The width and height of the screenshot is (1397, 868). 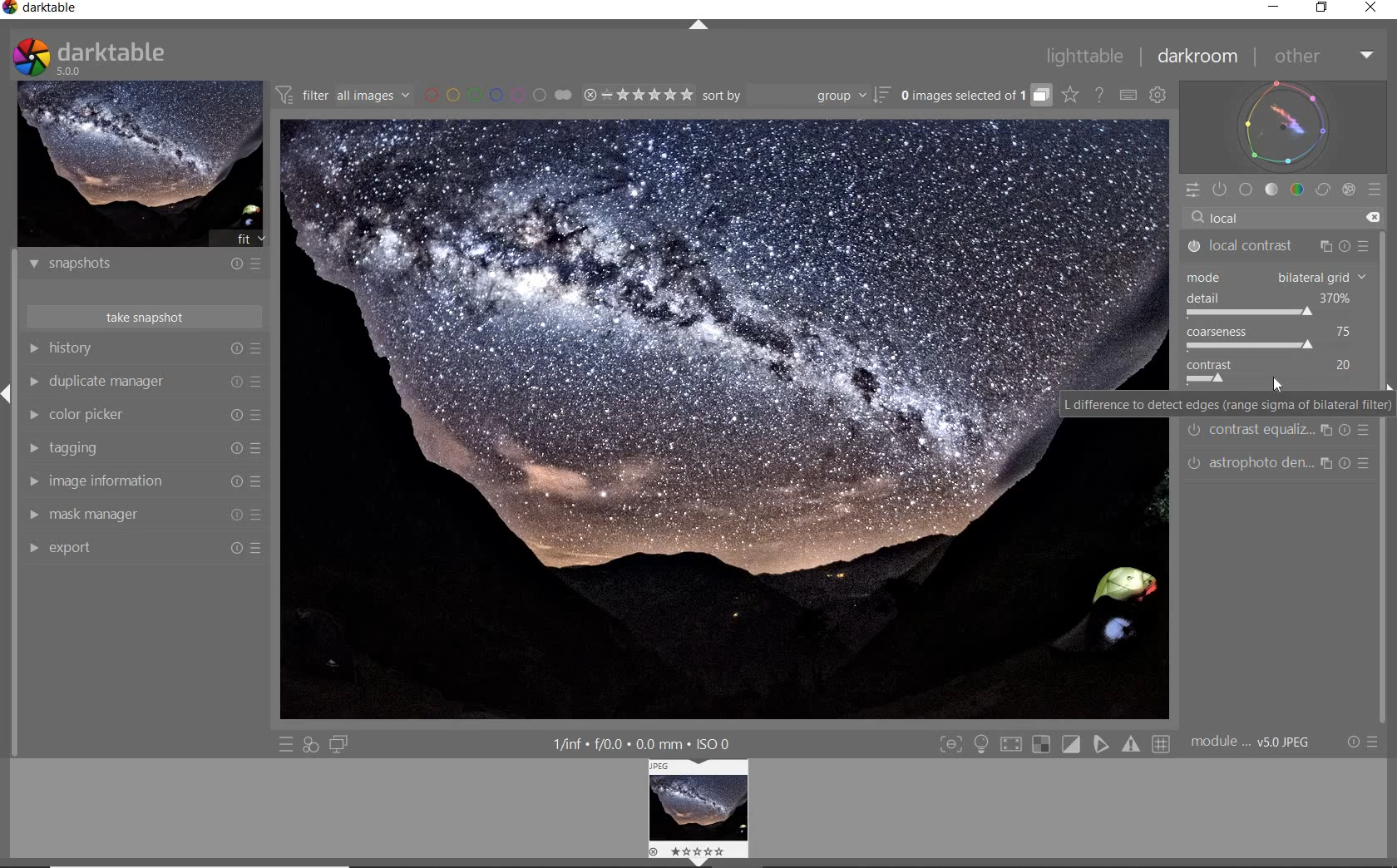 What do you see at coordinates (35, 481) in the screenshot?
I see `IMAGE INFORMATION` at bounding box center [35, 481].